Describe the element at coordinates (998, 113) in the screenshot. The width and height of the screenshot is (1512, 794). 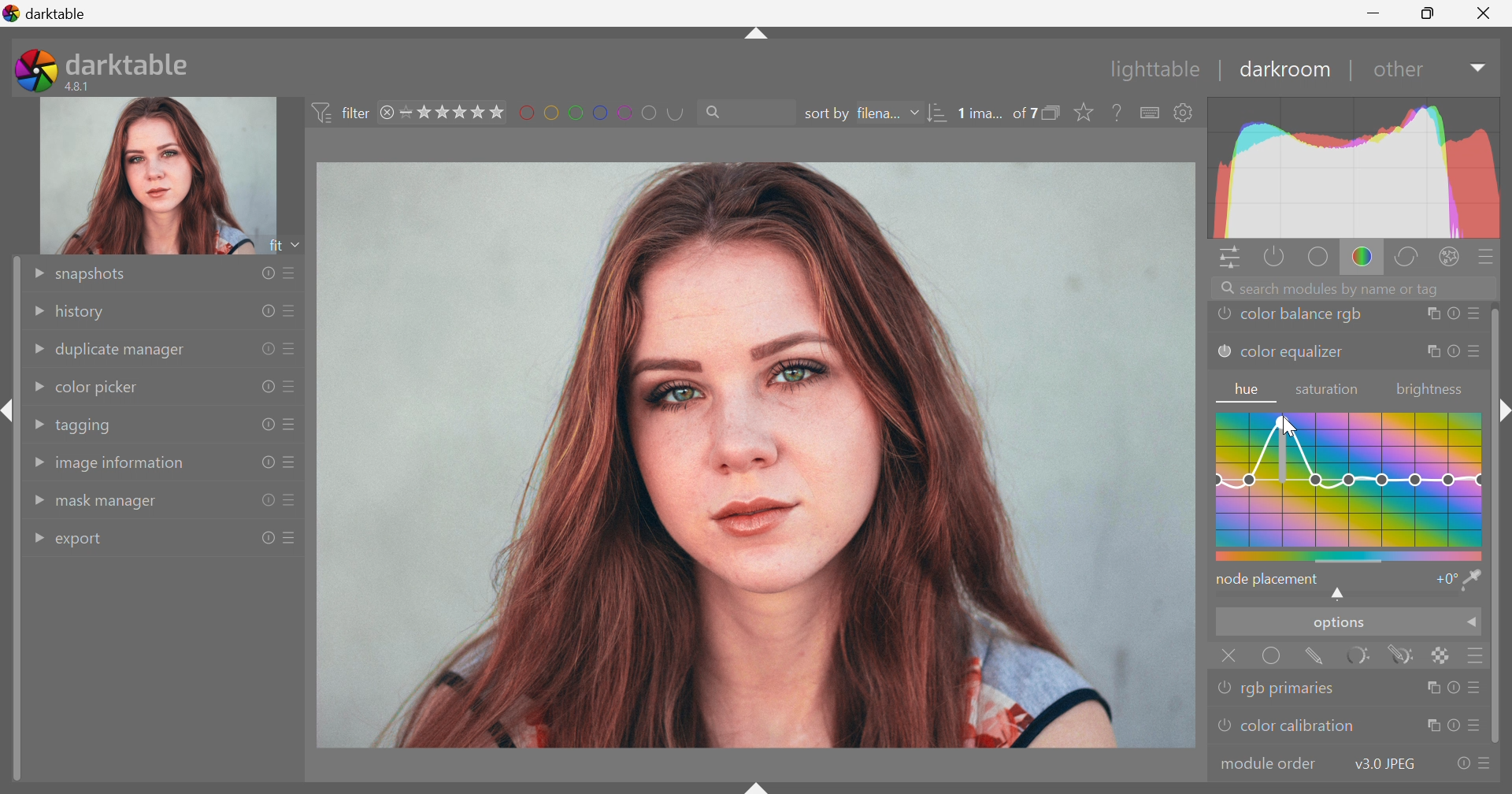
I see `1 ima... of 7` at that location.